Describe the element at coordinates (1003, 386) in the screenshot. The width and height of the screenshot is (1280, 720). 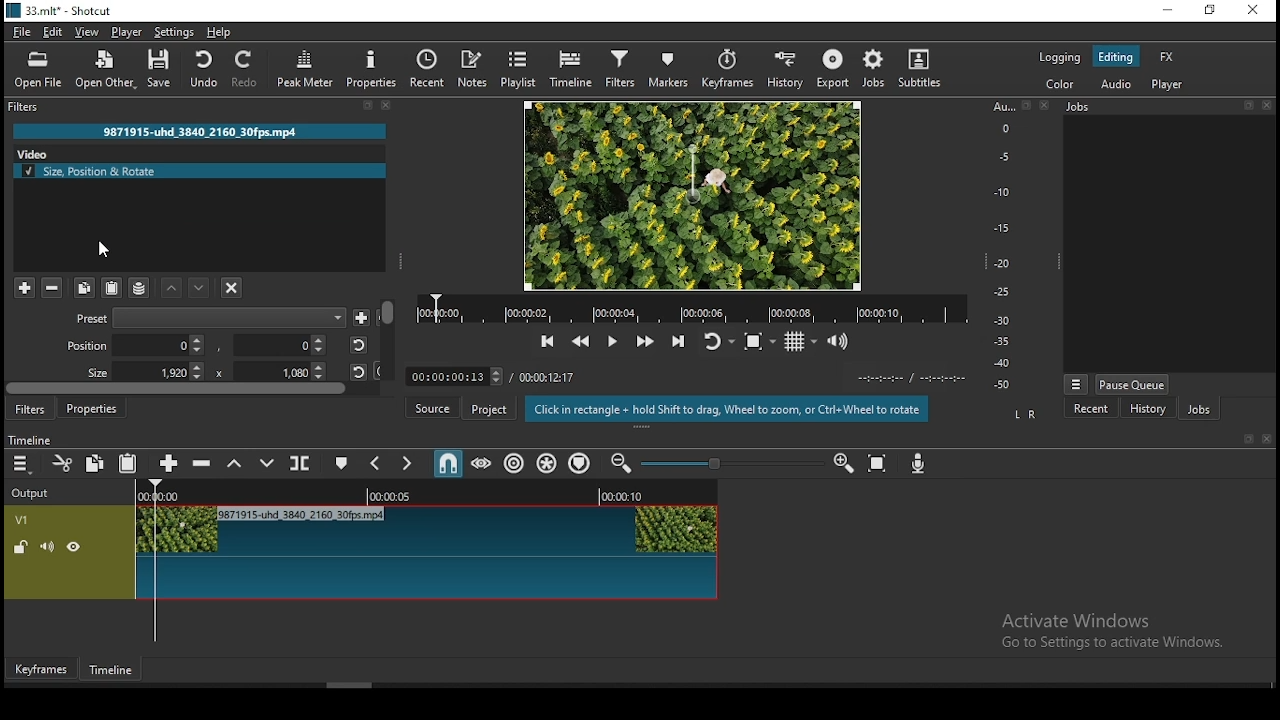
I see `-50` at that location.